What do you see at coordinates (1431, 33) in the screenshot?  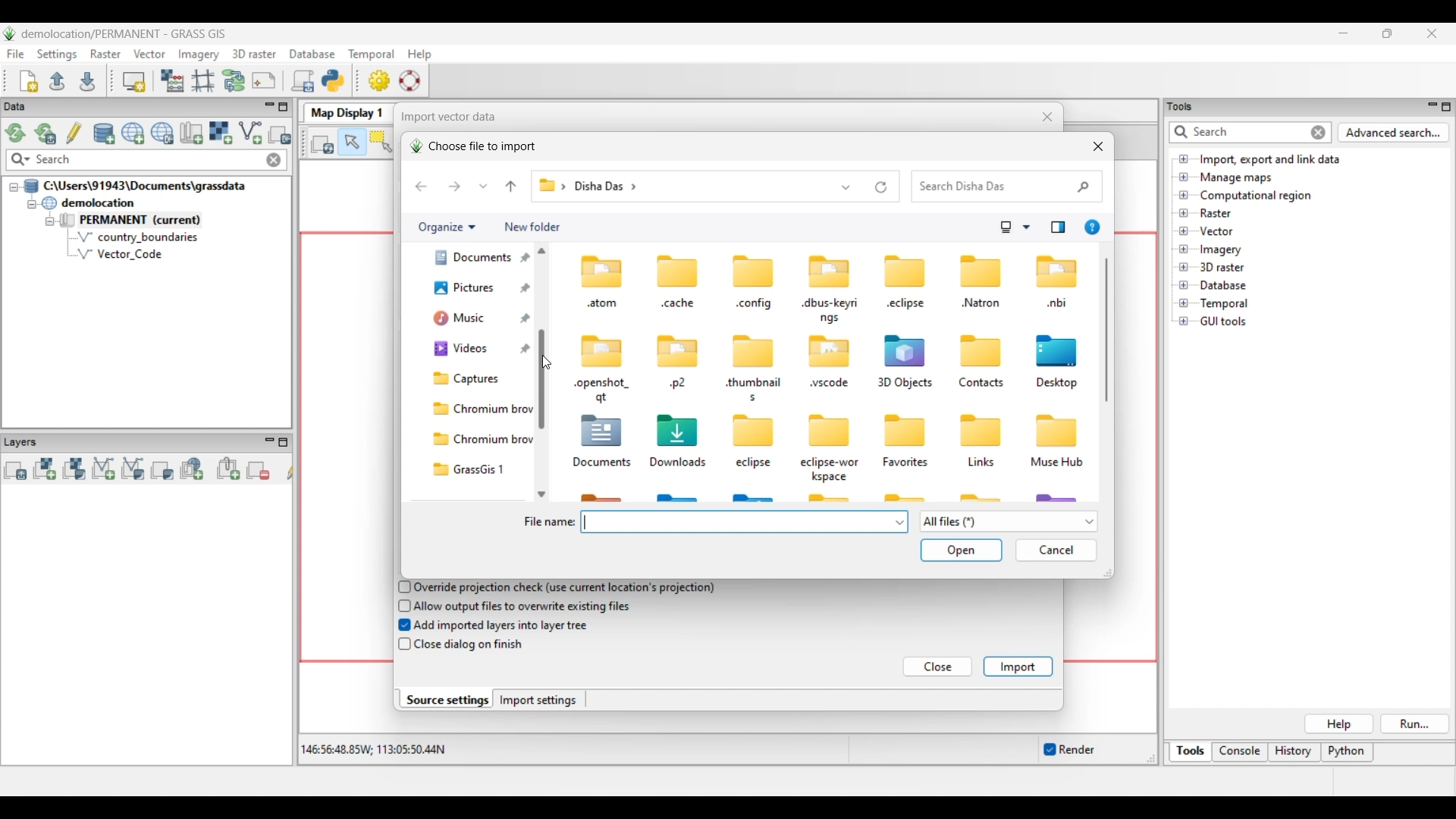 I see `Close interface` at bounding box center [1431, 33].